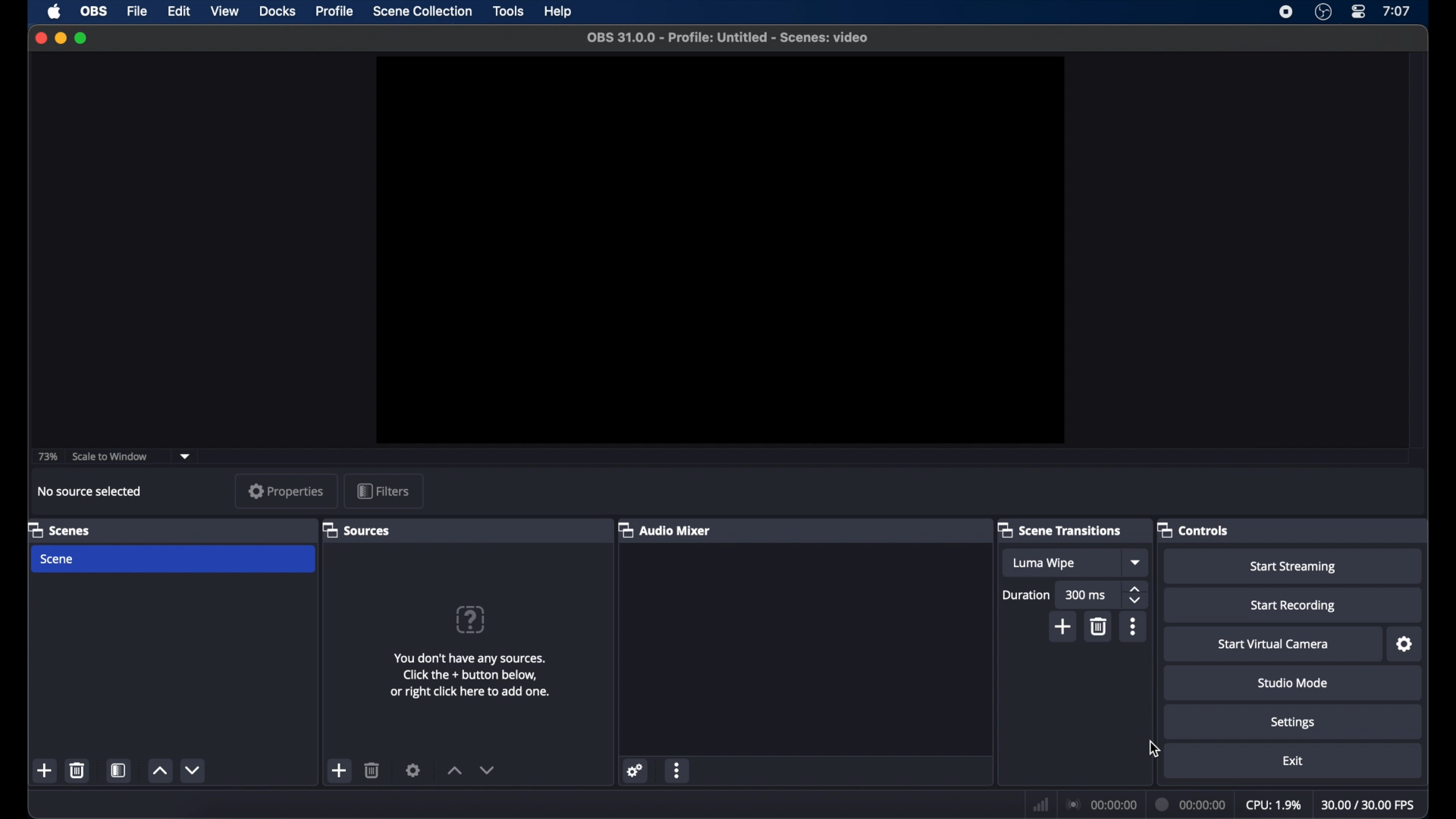  Describe the element at coordinates (119, 770) in the screenshot. I see `scene filters` at that location.